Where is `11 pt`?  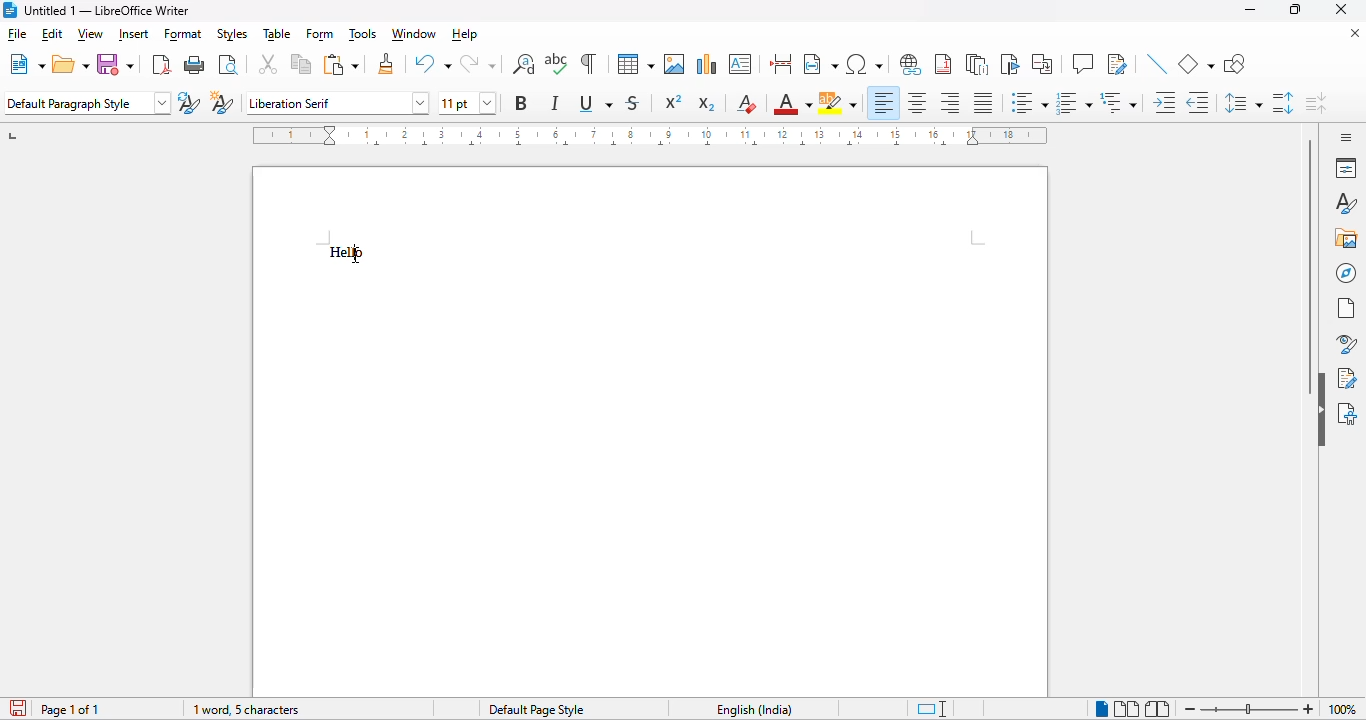
11 pt is located at coordinates (468, 103).